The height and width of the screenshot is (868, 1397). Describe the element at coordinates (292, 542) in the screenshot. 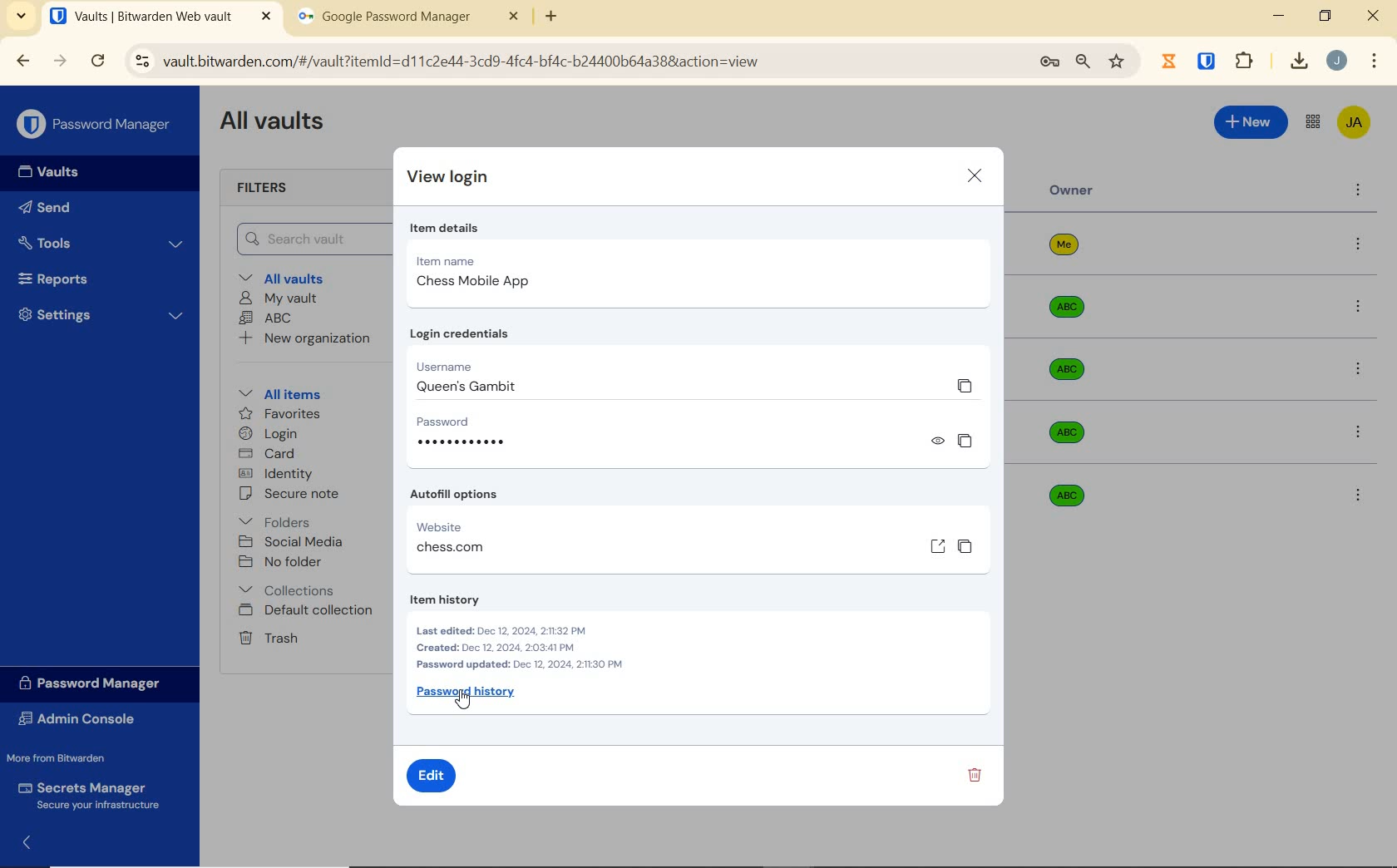

I see `social media` at that location.